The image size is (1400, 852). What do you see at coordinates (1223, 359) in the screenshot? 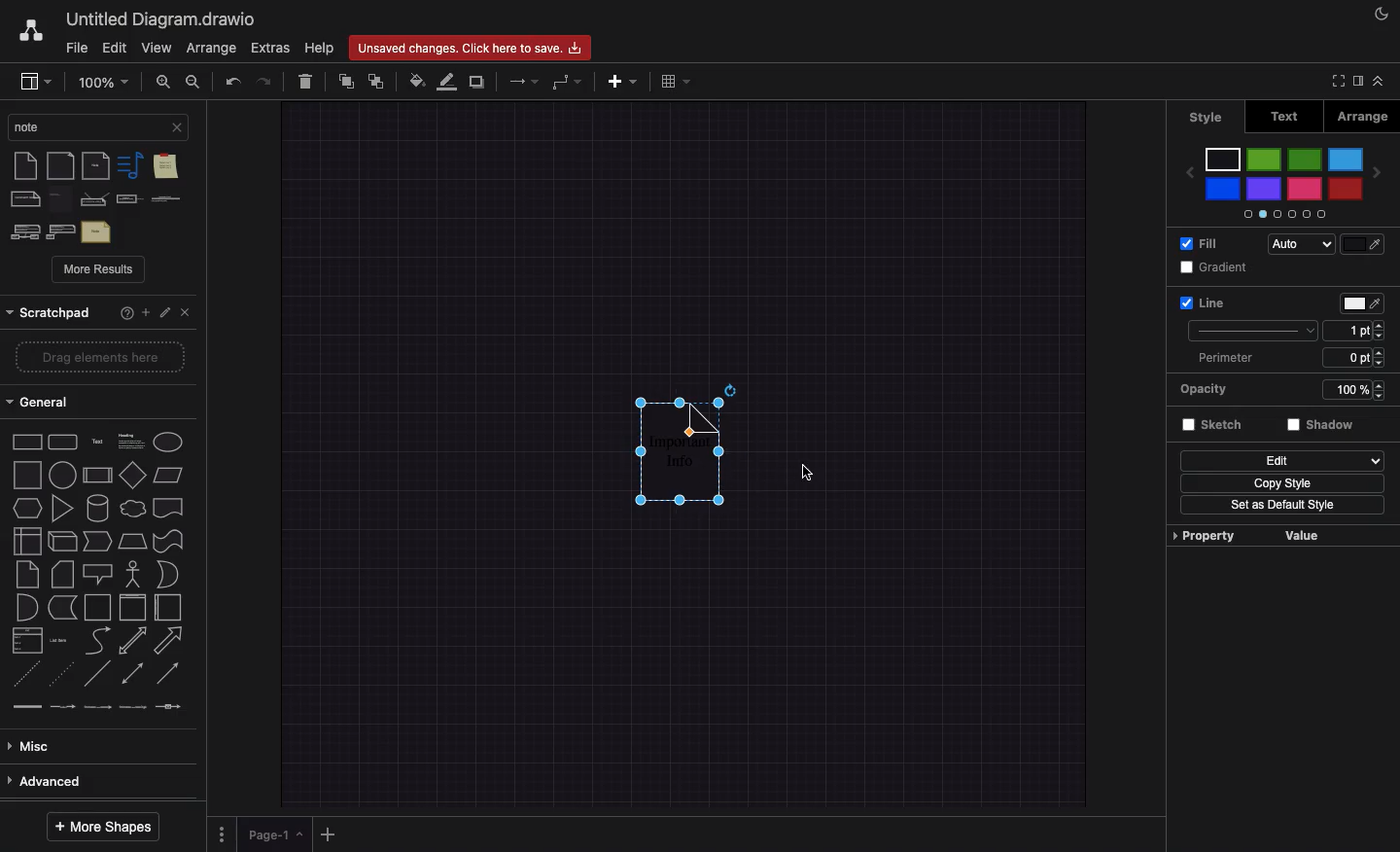
I see `Perimeter` at bounding box center [1223, 359].